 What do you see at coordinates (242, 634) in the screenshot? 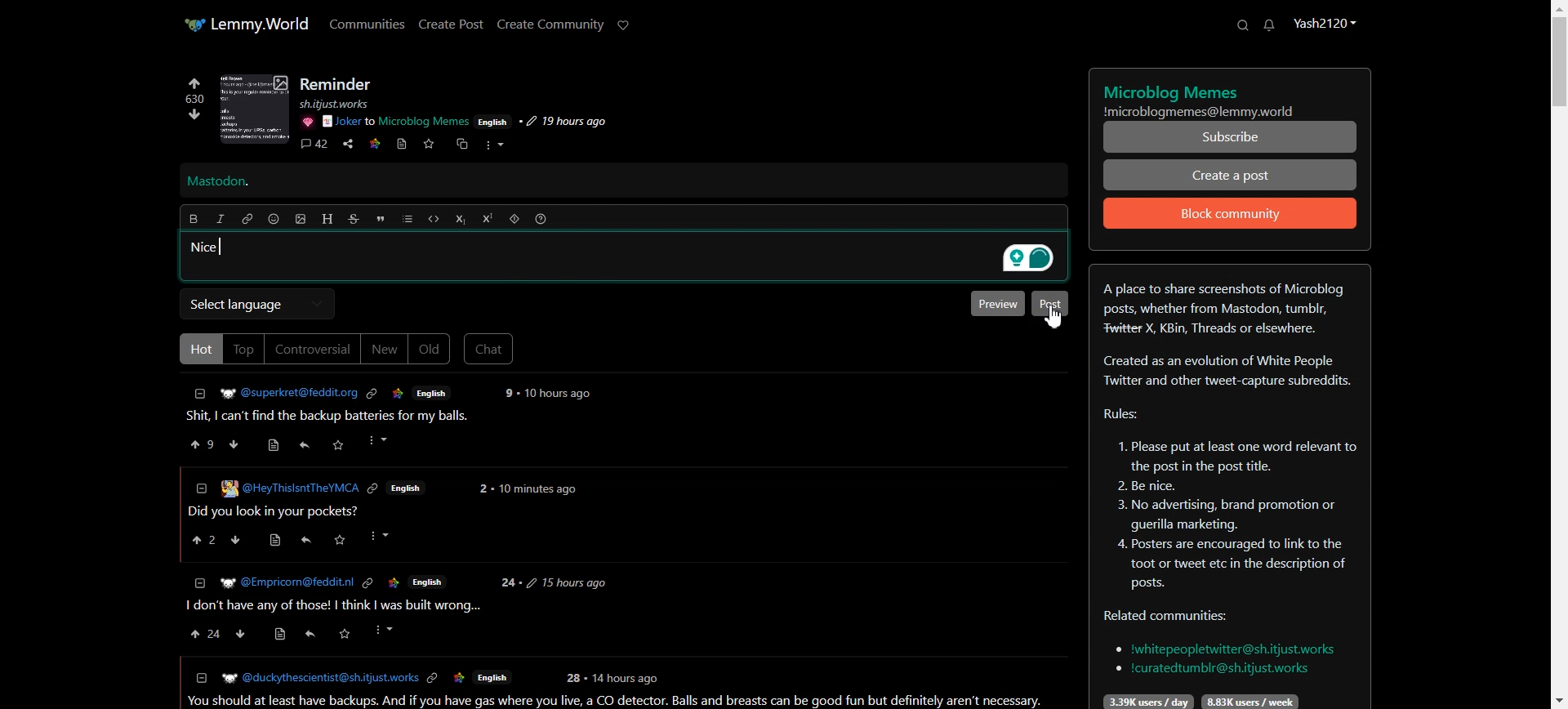
I see `` at bounding box center [242, 634].